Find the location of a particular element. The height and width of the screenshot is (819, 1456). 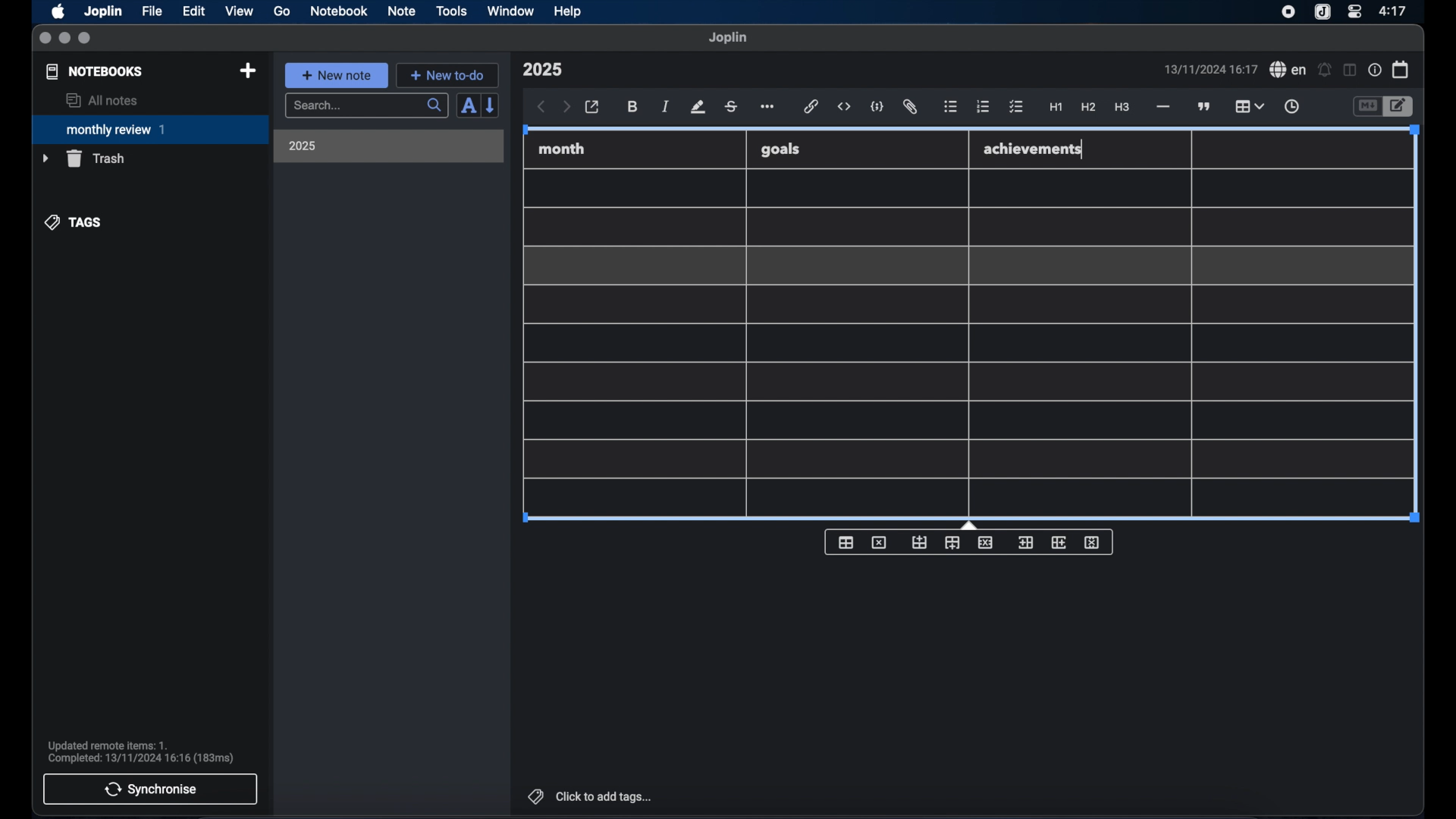

delete row is located at coordinates (987, 541).